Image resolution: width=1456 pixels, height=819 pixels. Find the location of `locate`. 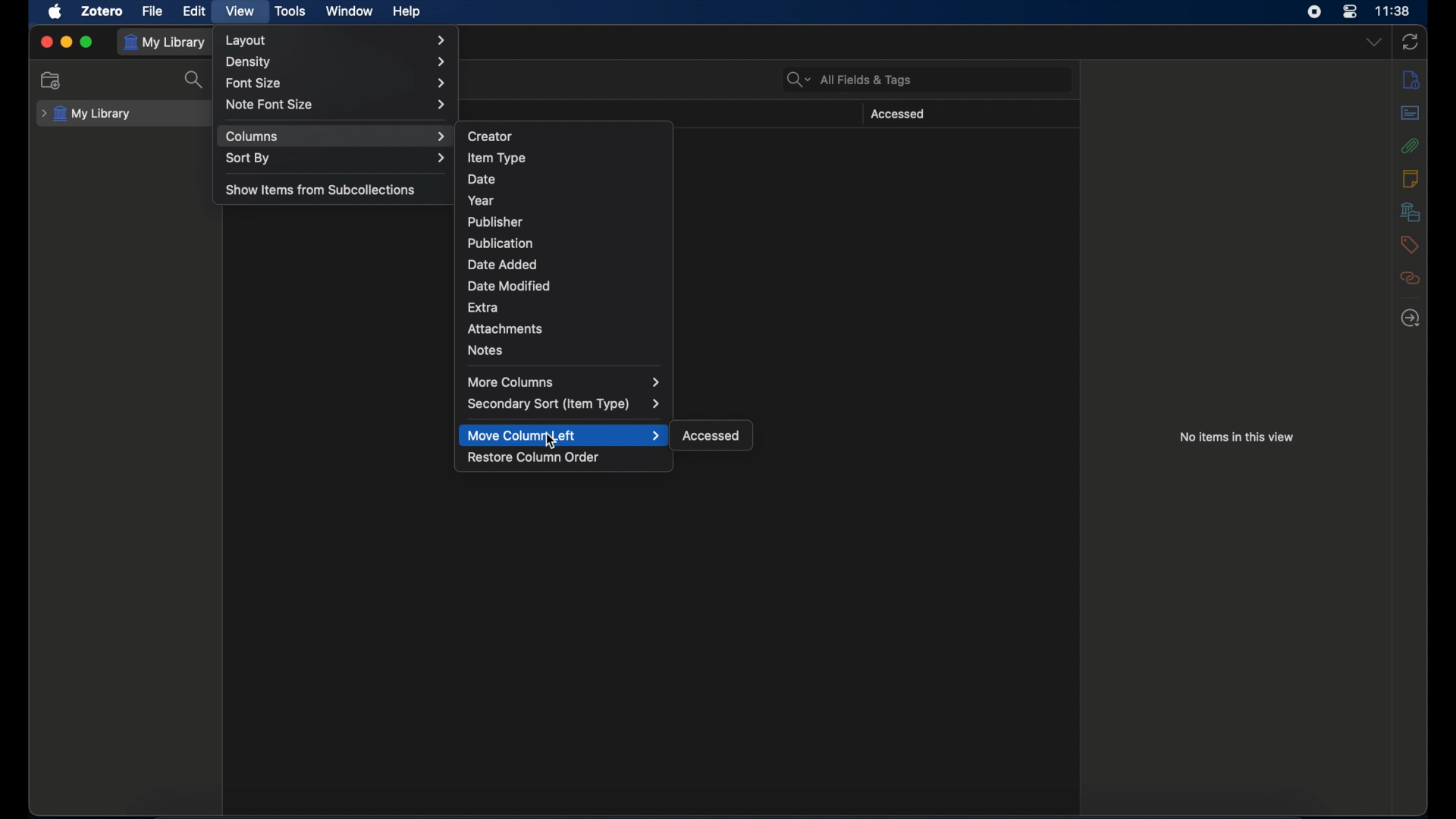

locate is located at coordinates (1410, 318).